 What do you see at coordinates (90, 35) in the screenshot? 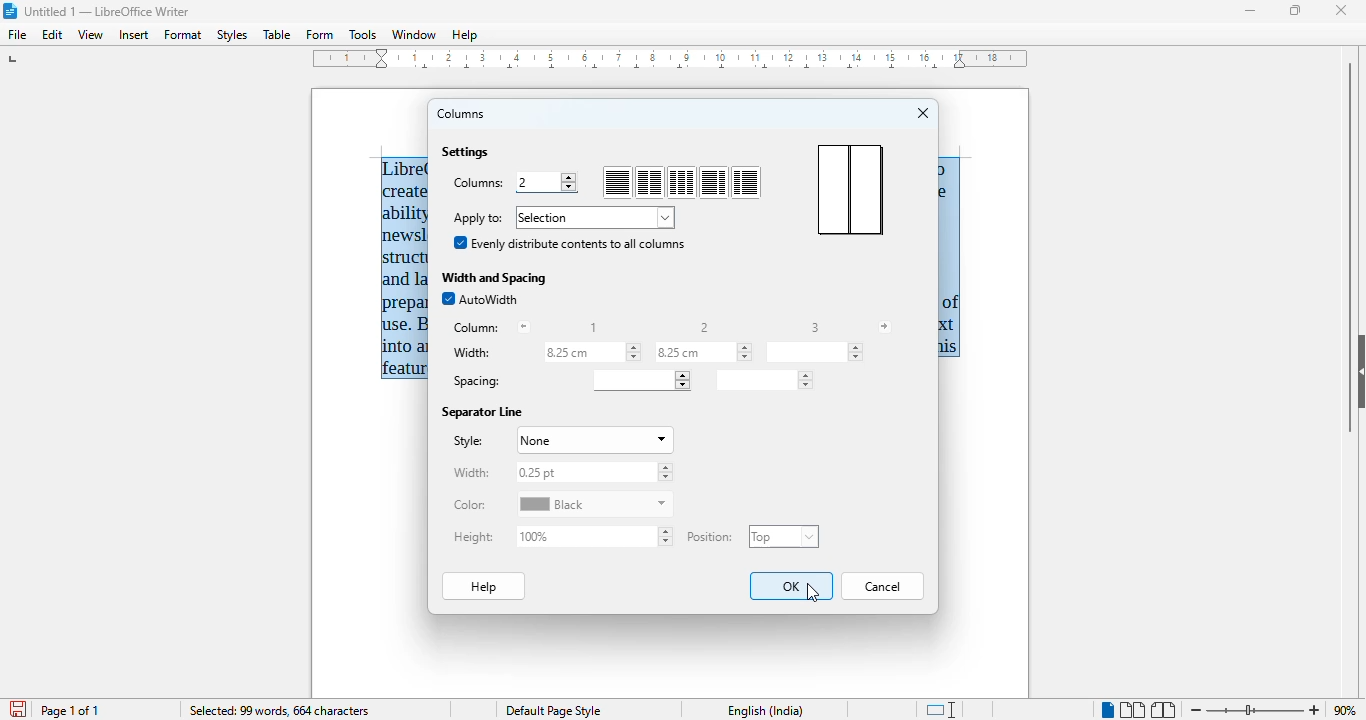
I see `view` at bounding box center [90, 35].